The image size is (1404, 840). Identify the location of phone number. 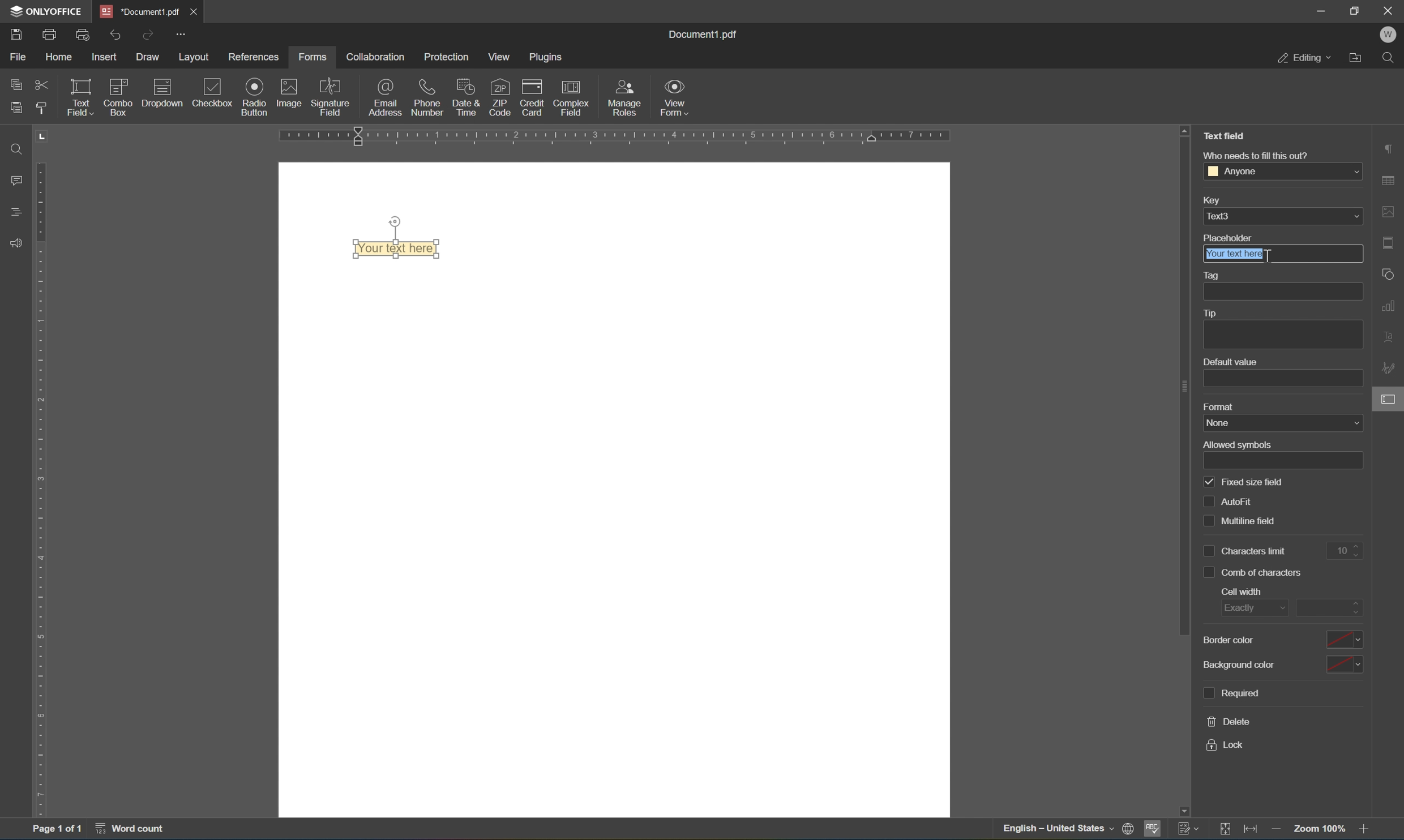
(427, 97).